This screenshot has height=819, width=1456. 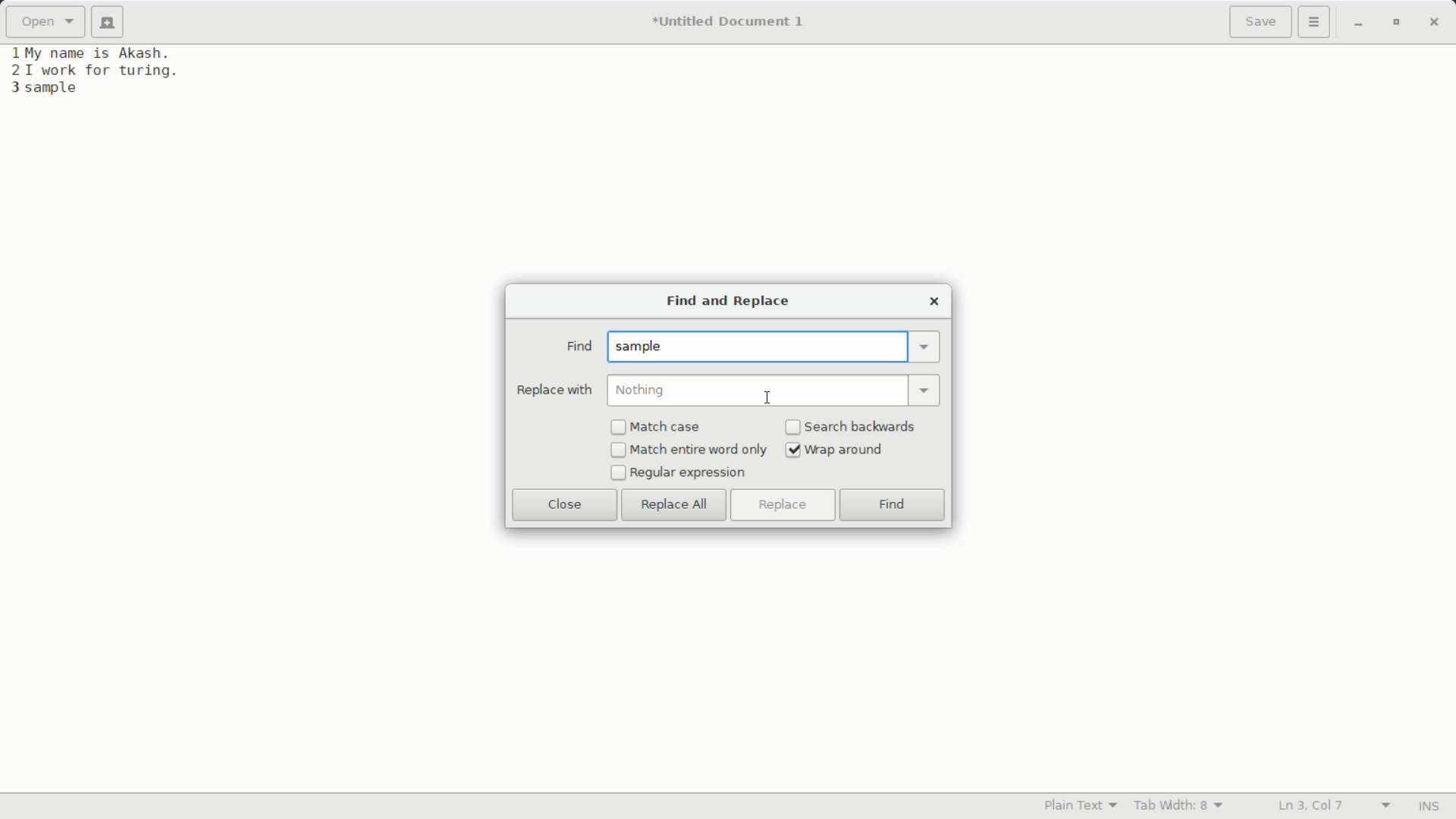 I want to click on close, so click(x=565, y=504).